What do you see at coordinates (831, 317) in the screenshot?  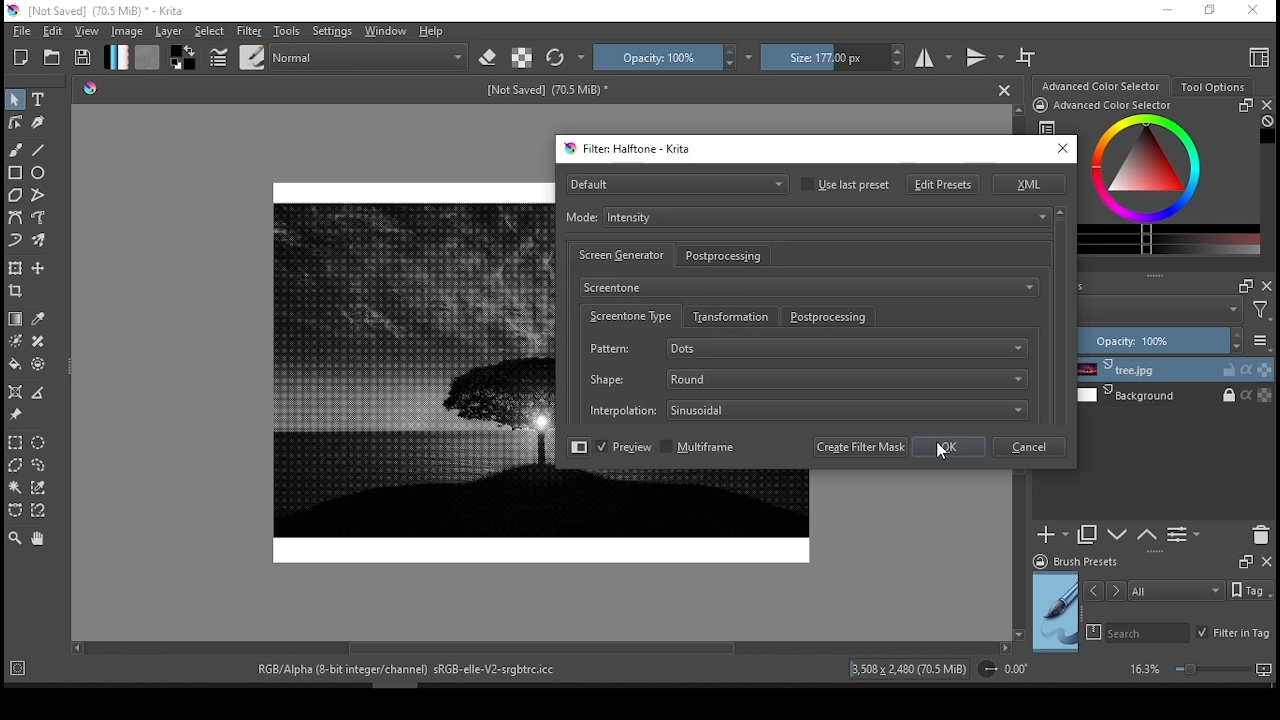 I see `postprocessing` at bounding box center [831, 317].